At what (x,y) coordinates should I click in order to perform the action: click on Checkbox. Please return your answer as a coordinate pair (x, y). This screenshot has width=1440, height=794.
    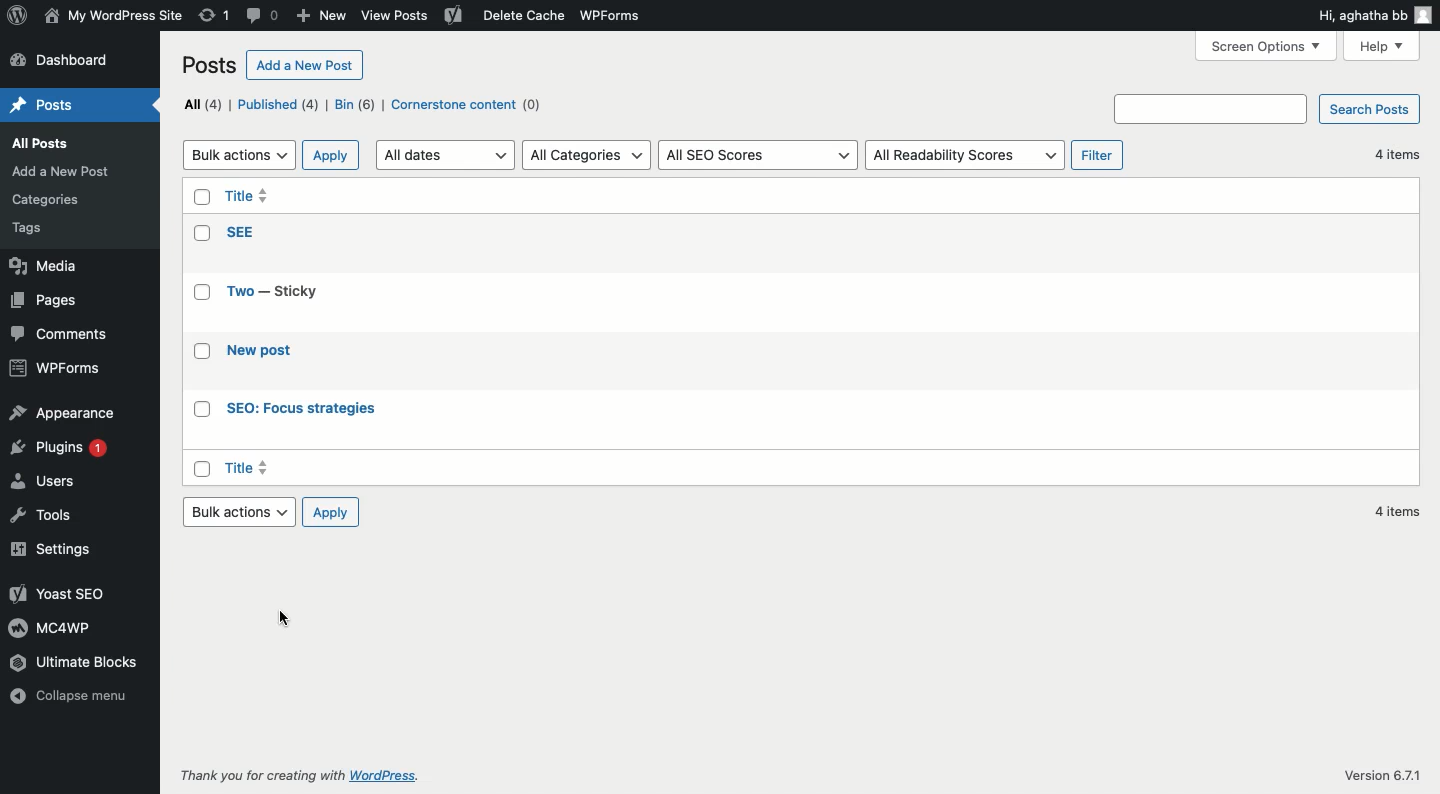
    Looking at the image, I should click on (203, 410).